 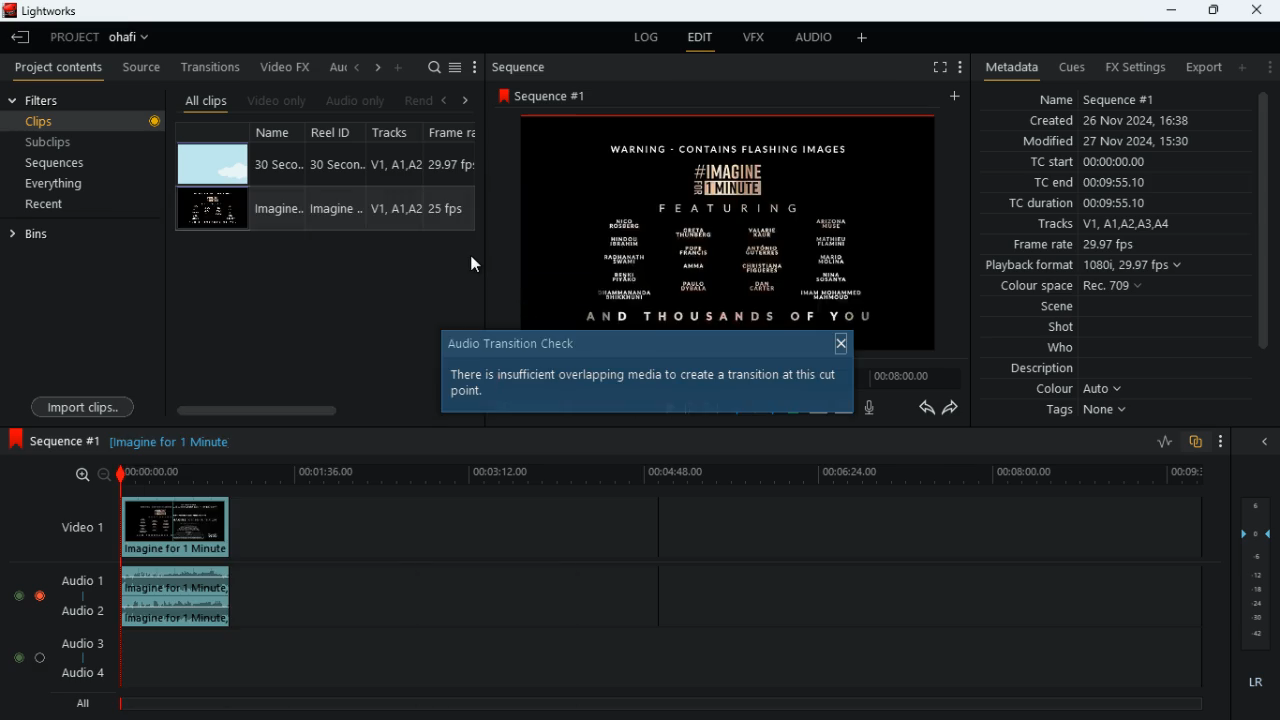 What do you see at coordinates (40, 593) in the screenshot?
I see `Toggle` at bounding box center [40, 593].